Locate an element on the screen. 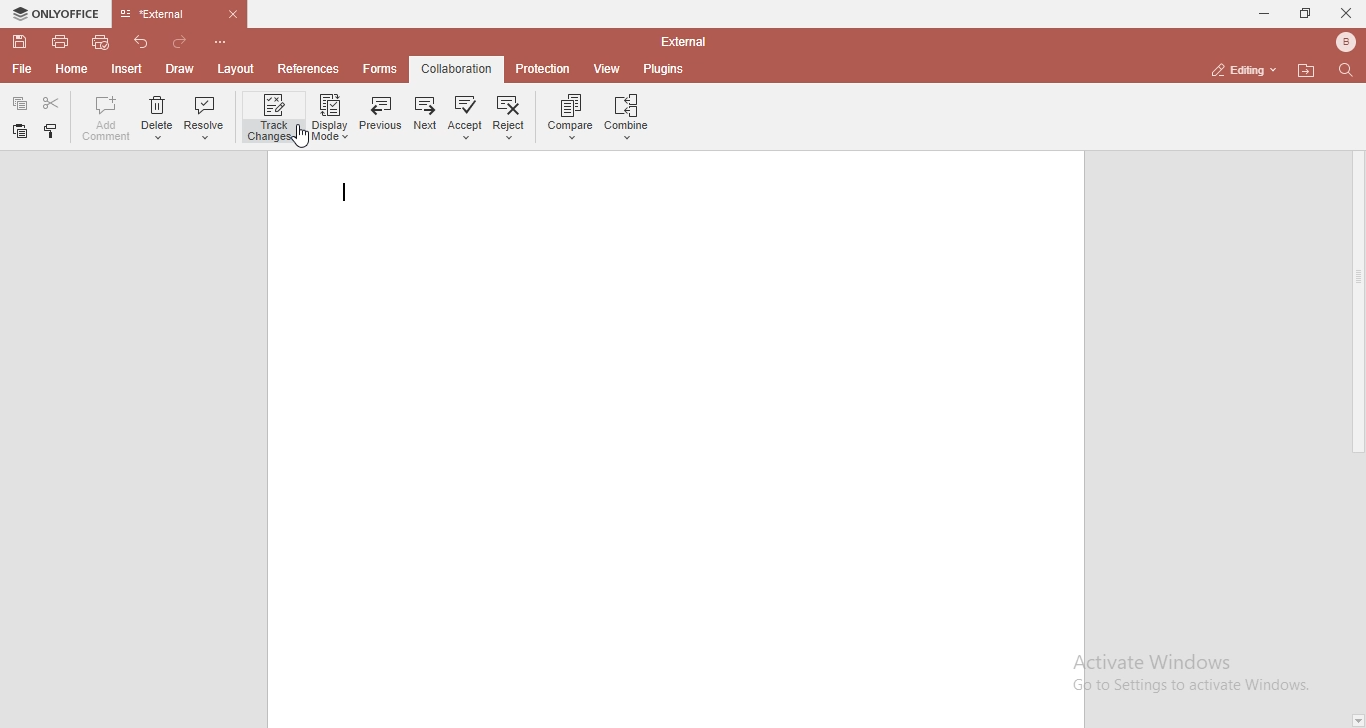 The image size is (1366, 728). cut is located at coordinates (51, 102).